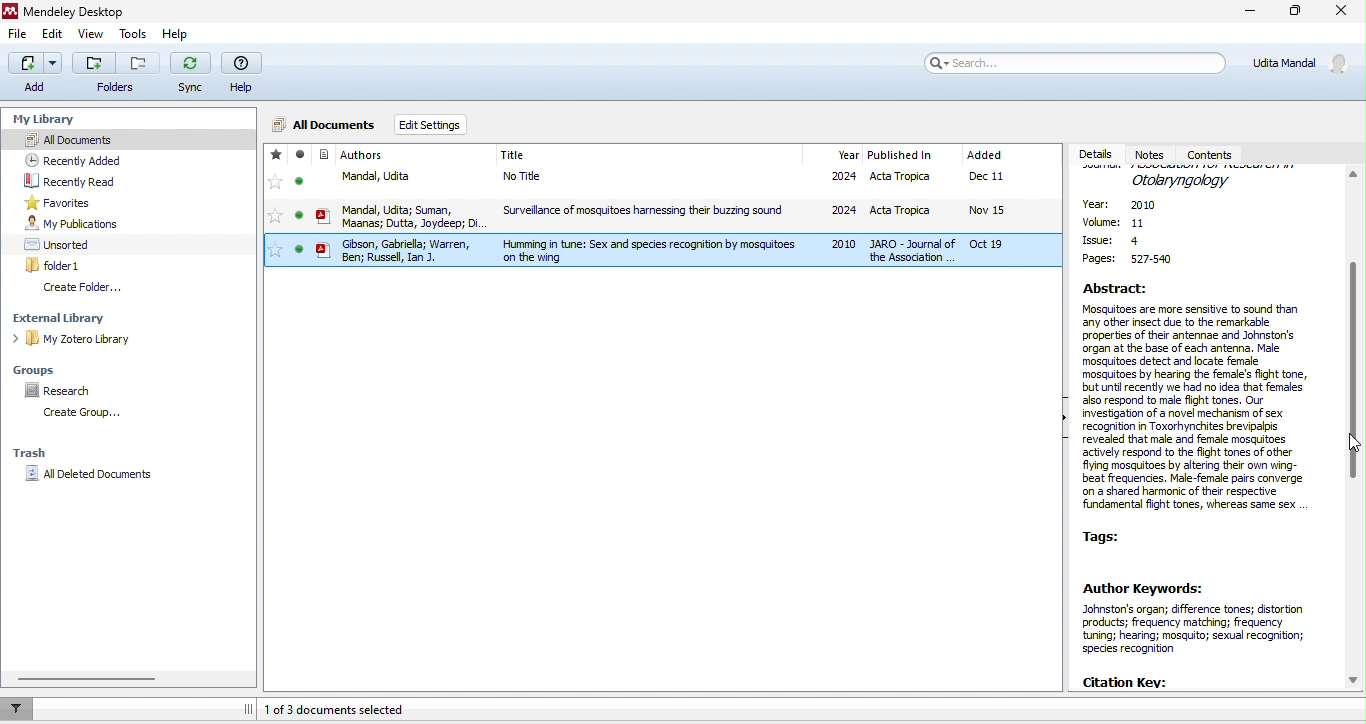  Describe the element at coordinates (363, 155) in the screenshot. I see `journal author name` at that location.